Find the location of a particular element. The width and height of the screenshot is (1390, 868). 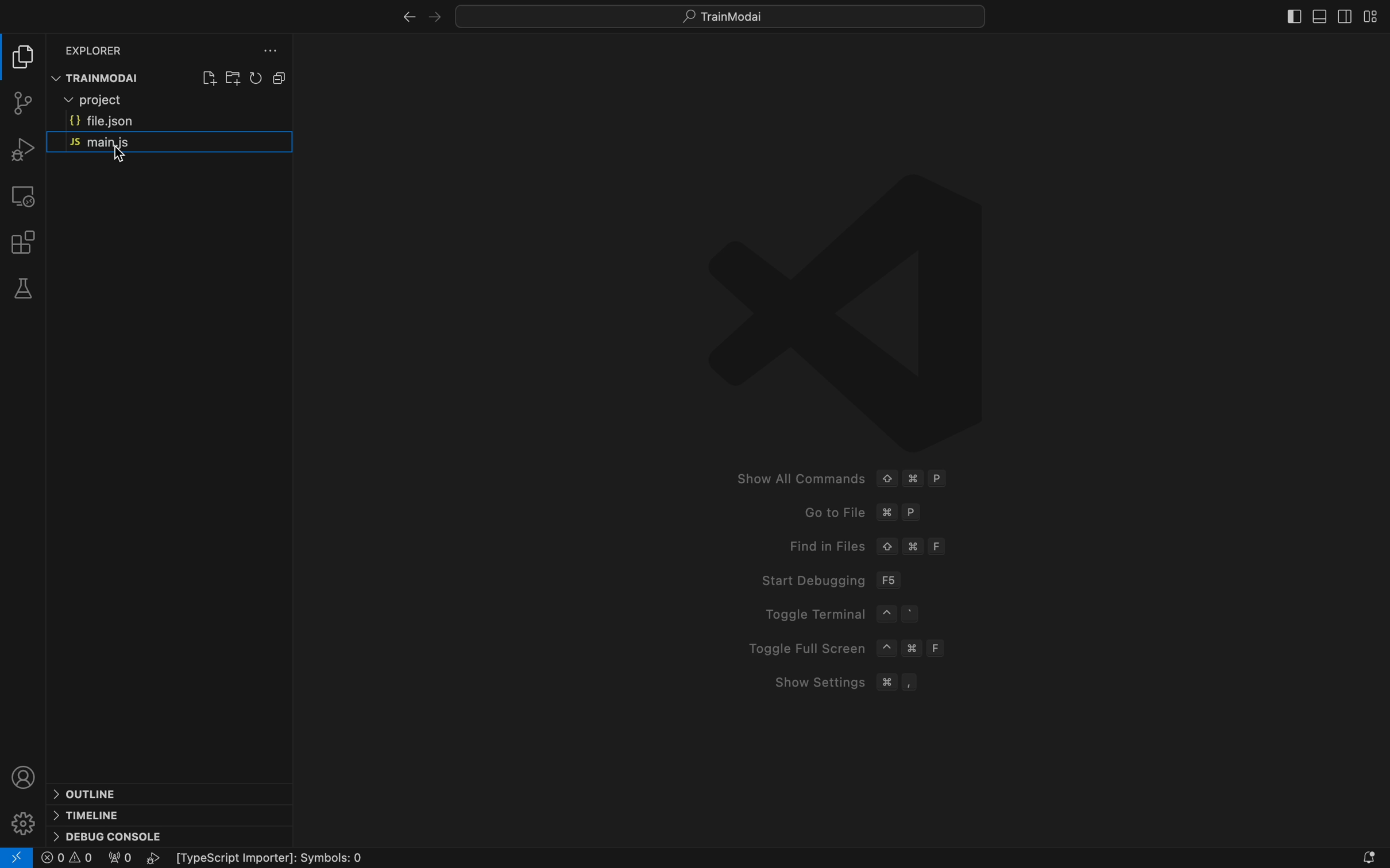

Show All Commands © # P
Goto File %# P
Find in Files © # F
Start Debugging F56
Toggle Terminal ~ °
Toggle Full Screen ~ # F
Show Settings # , is located at coordinates (838, 479).